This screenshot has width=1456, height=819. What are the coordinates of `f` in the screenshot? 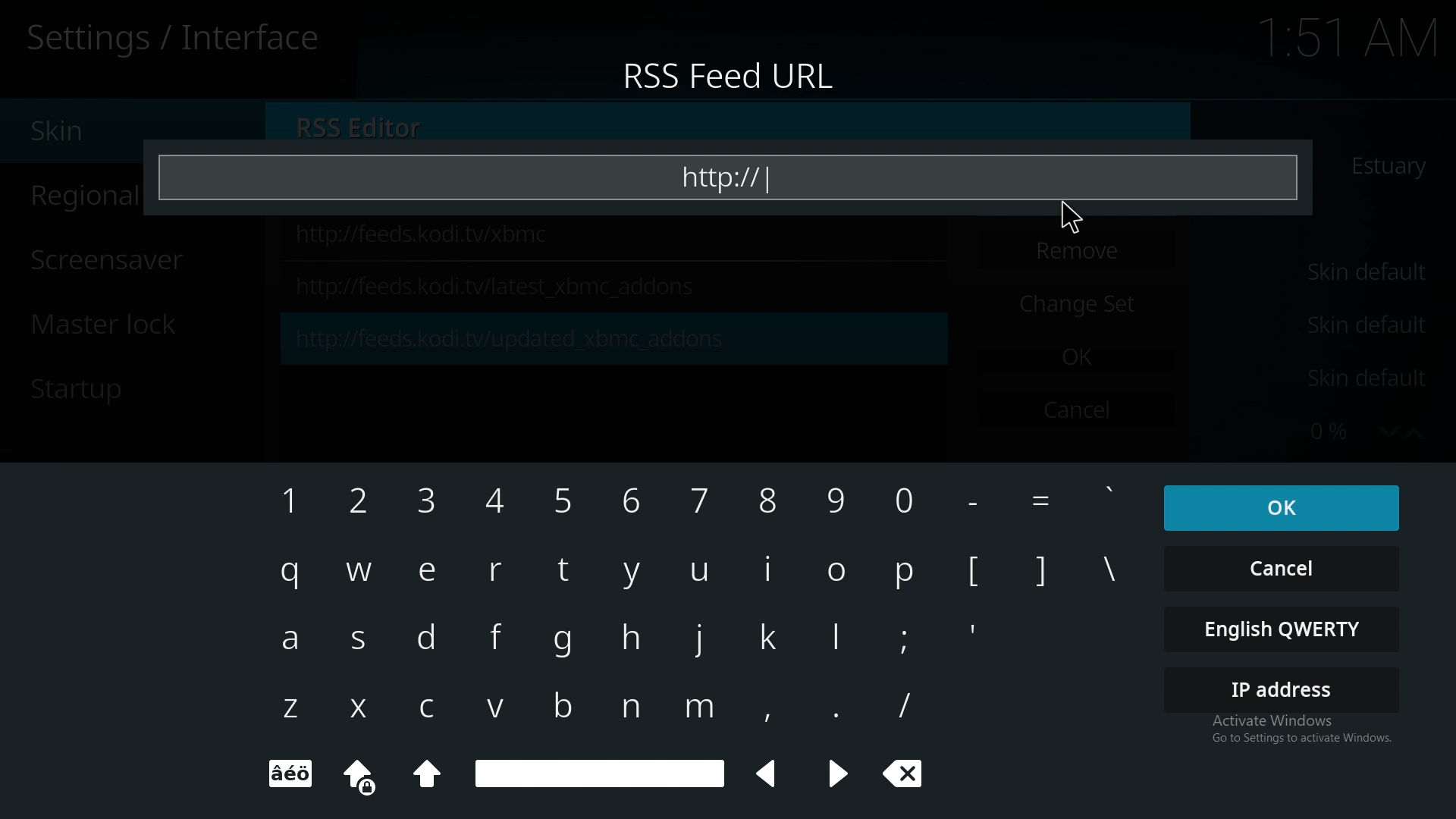 It's located at (502, 640).